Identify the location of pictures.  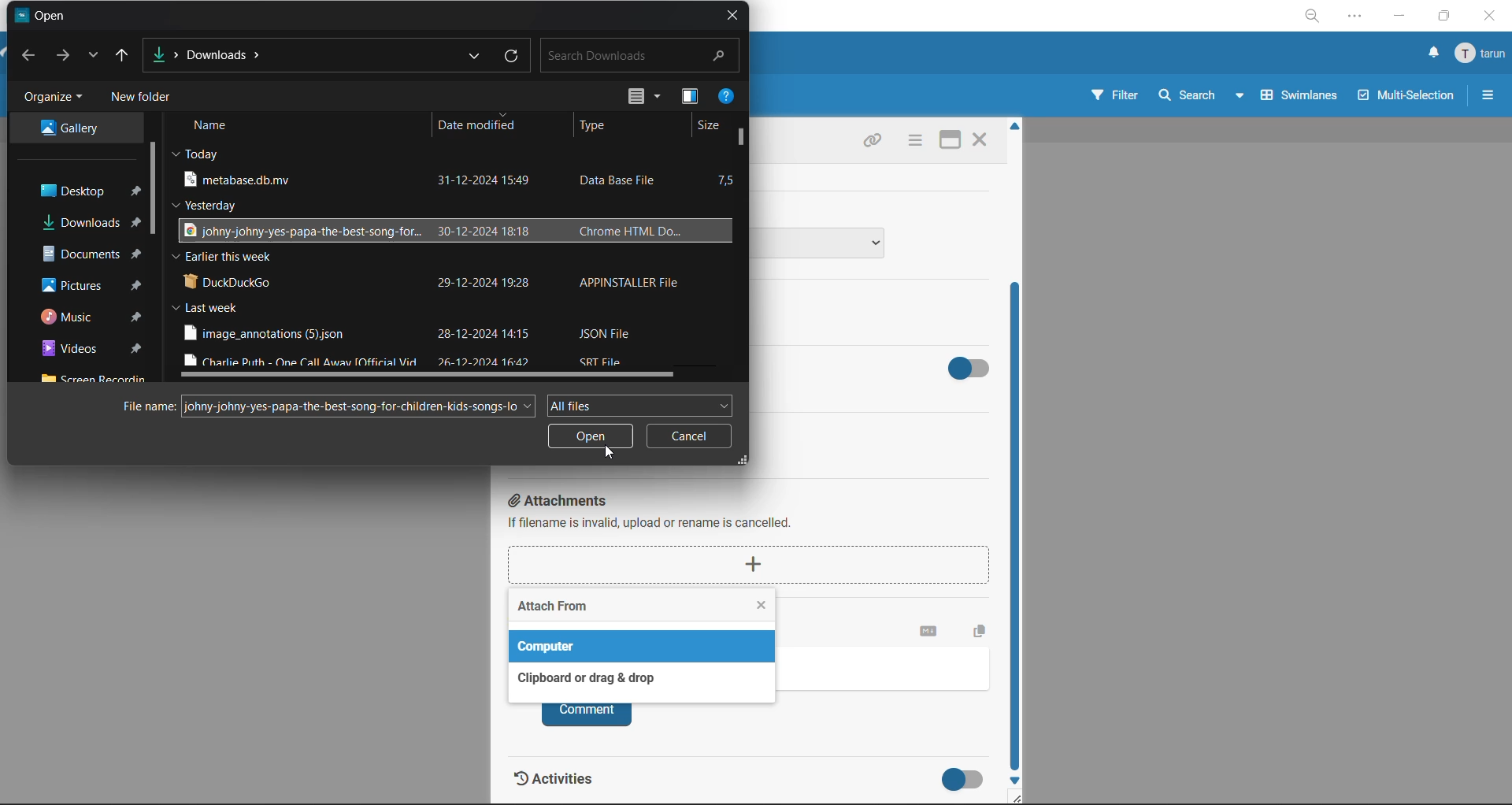
(78, 285).